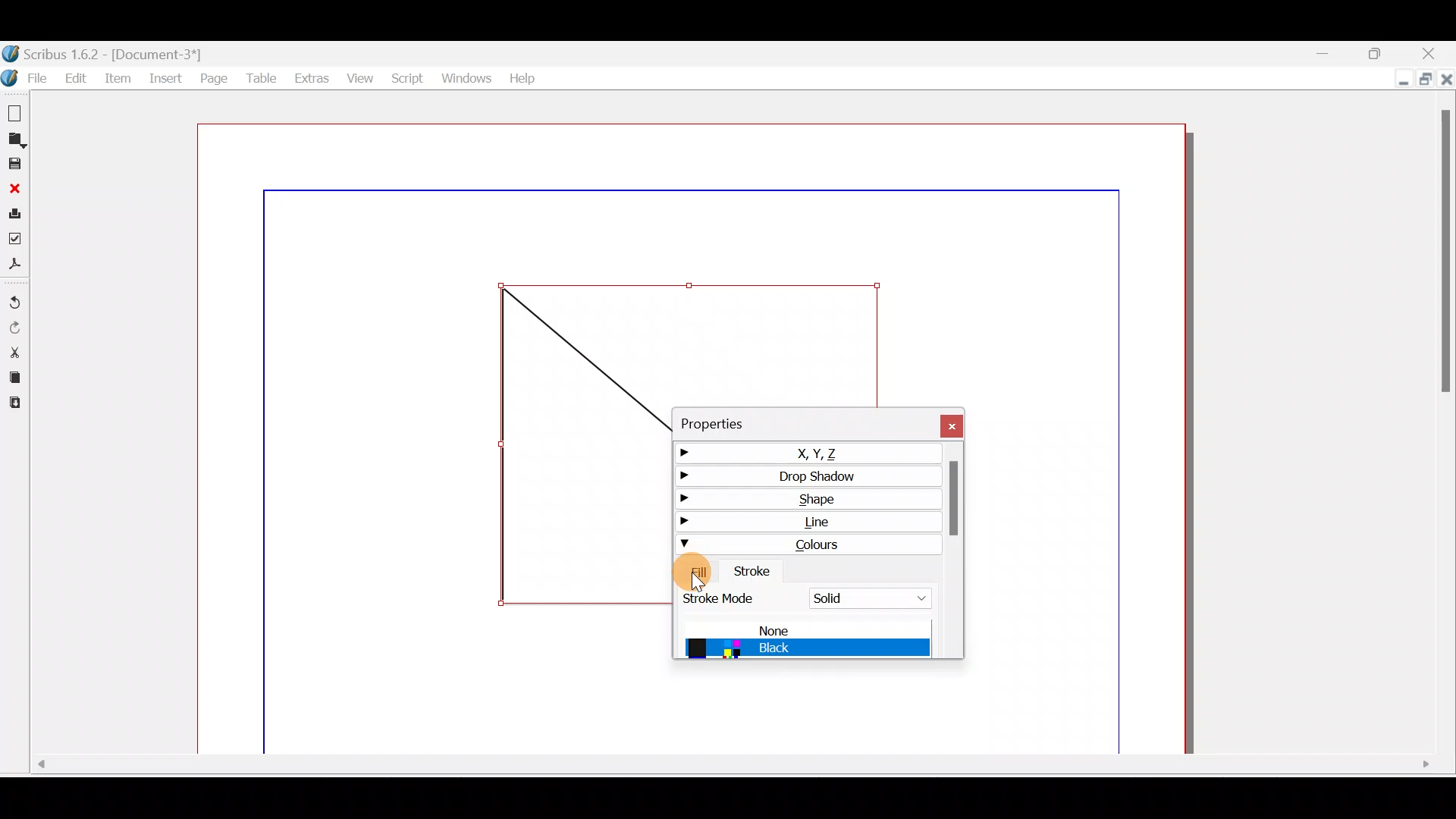 This screenshot has height=819, width=1456. What do you see at coordinates (308, 76) in the screenshot?
I see `Extras` at bounding box center [308, 76].